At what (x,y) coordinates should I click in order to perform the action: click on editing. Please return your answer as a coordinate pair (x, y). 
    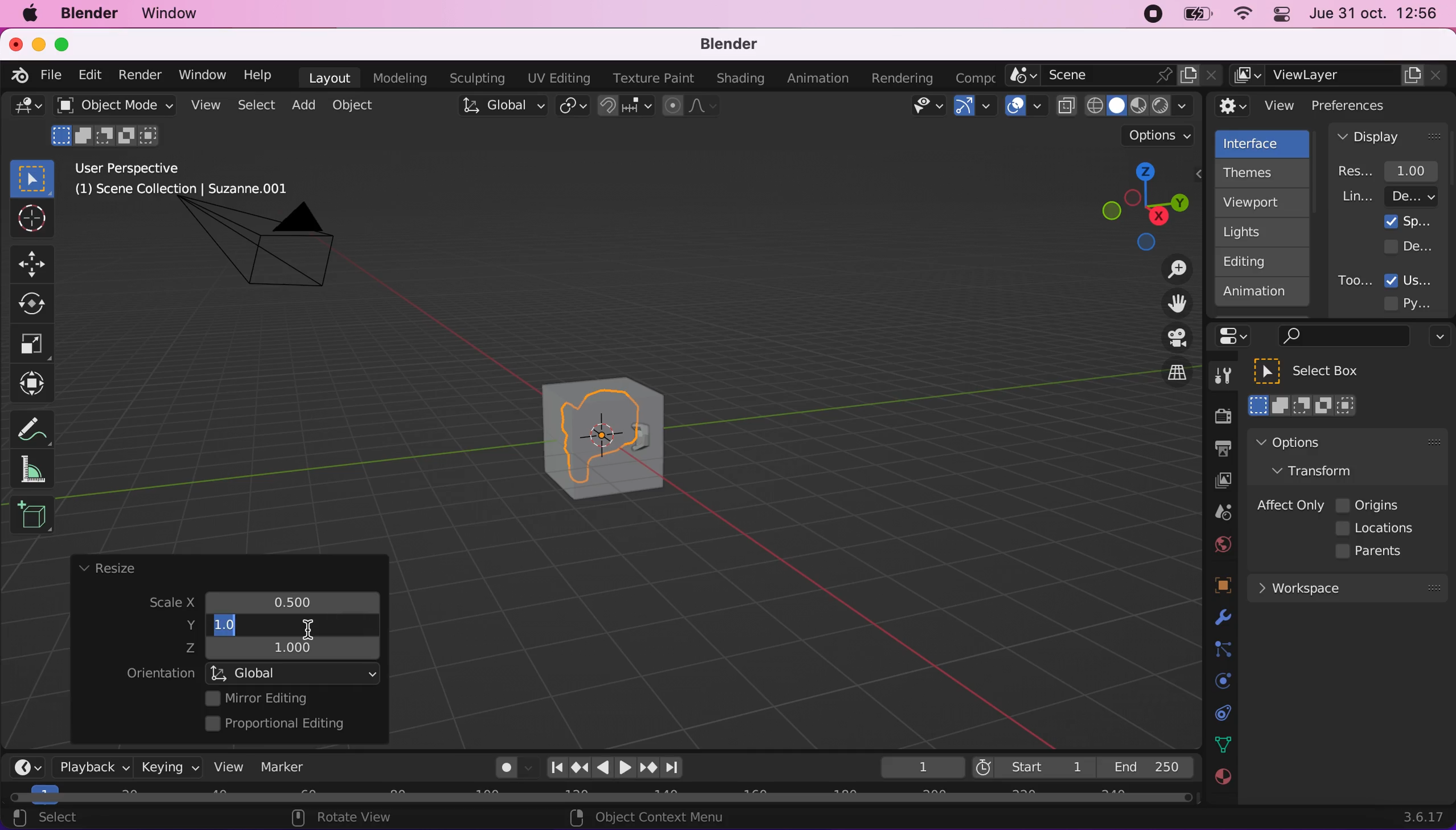
    Looking at the image, I should click on (1257, 261).